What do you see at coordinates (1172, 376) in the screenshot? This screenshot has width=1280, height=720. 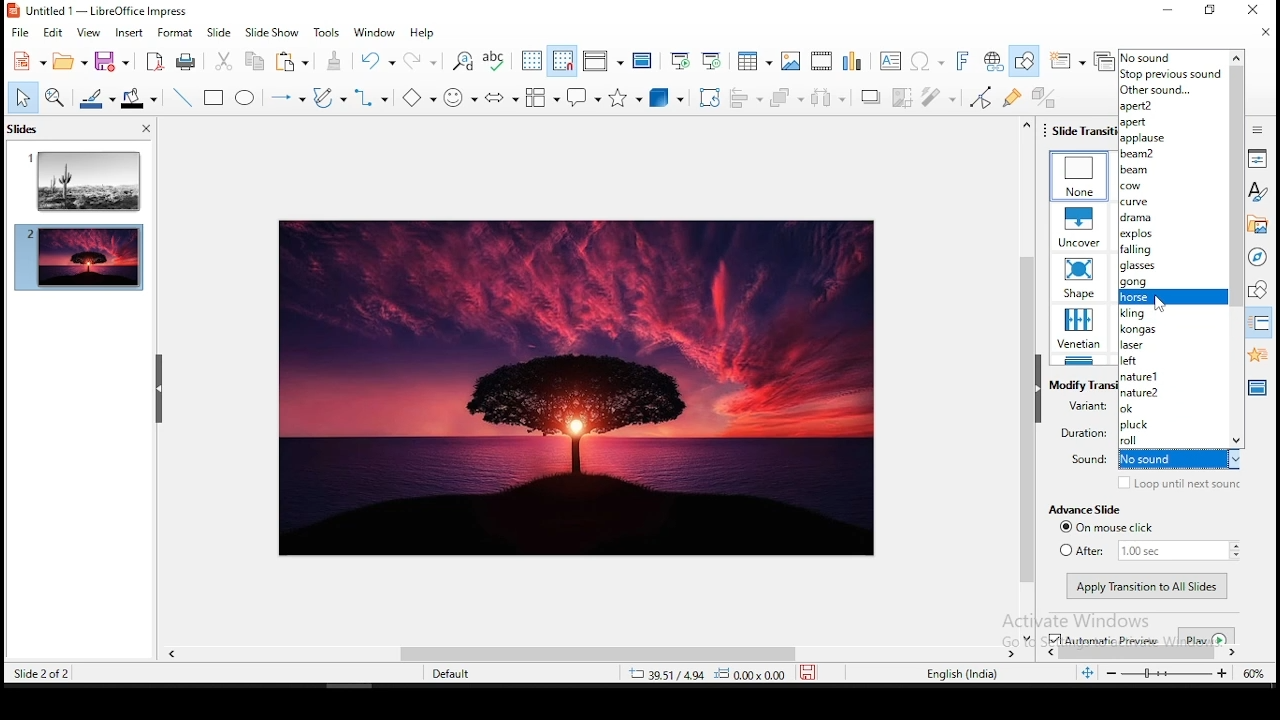 I see `nature1` at bounding box center [1172, 376].